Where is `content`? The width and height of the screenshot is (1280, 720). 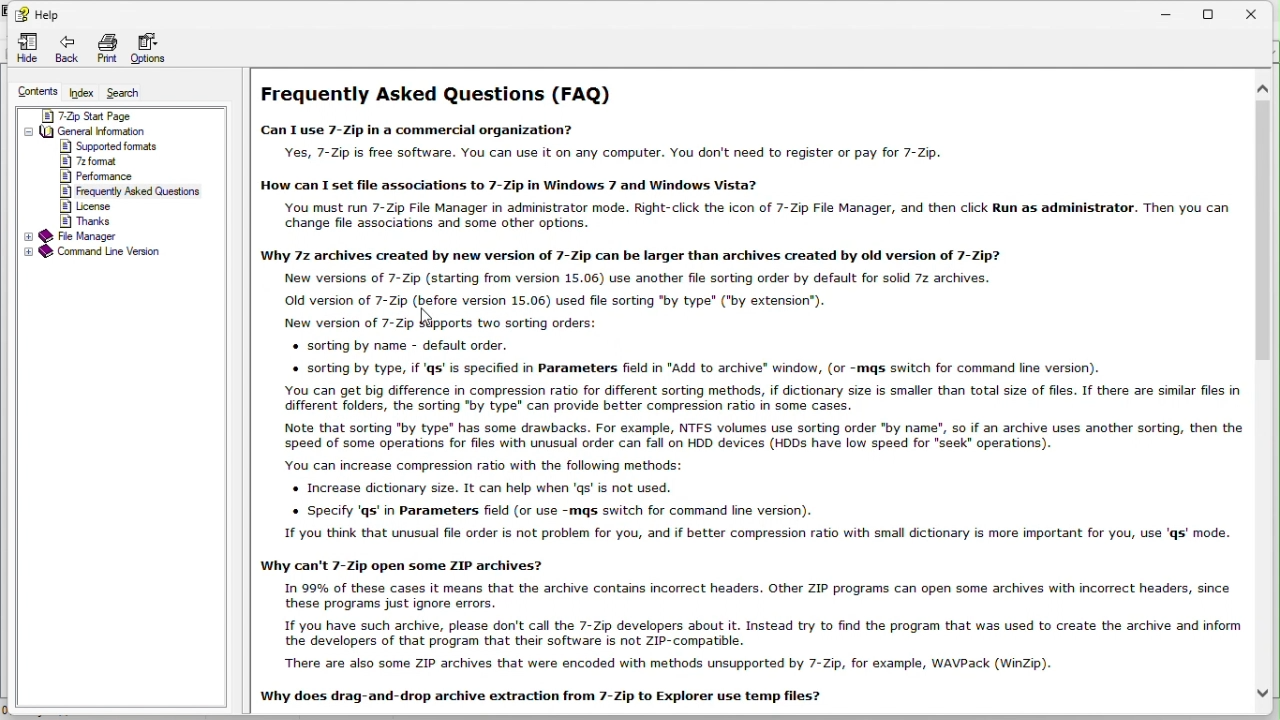 content is located at coordinates (34, 91).